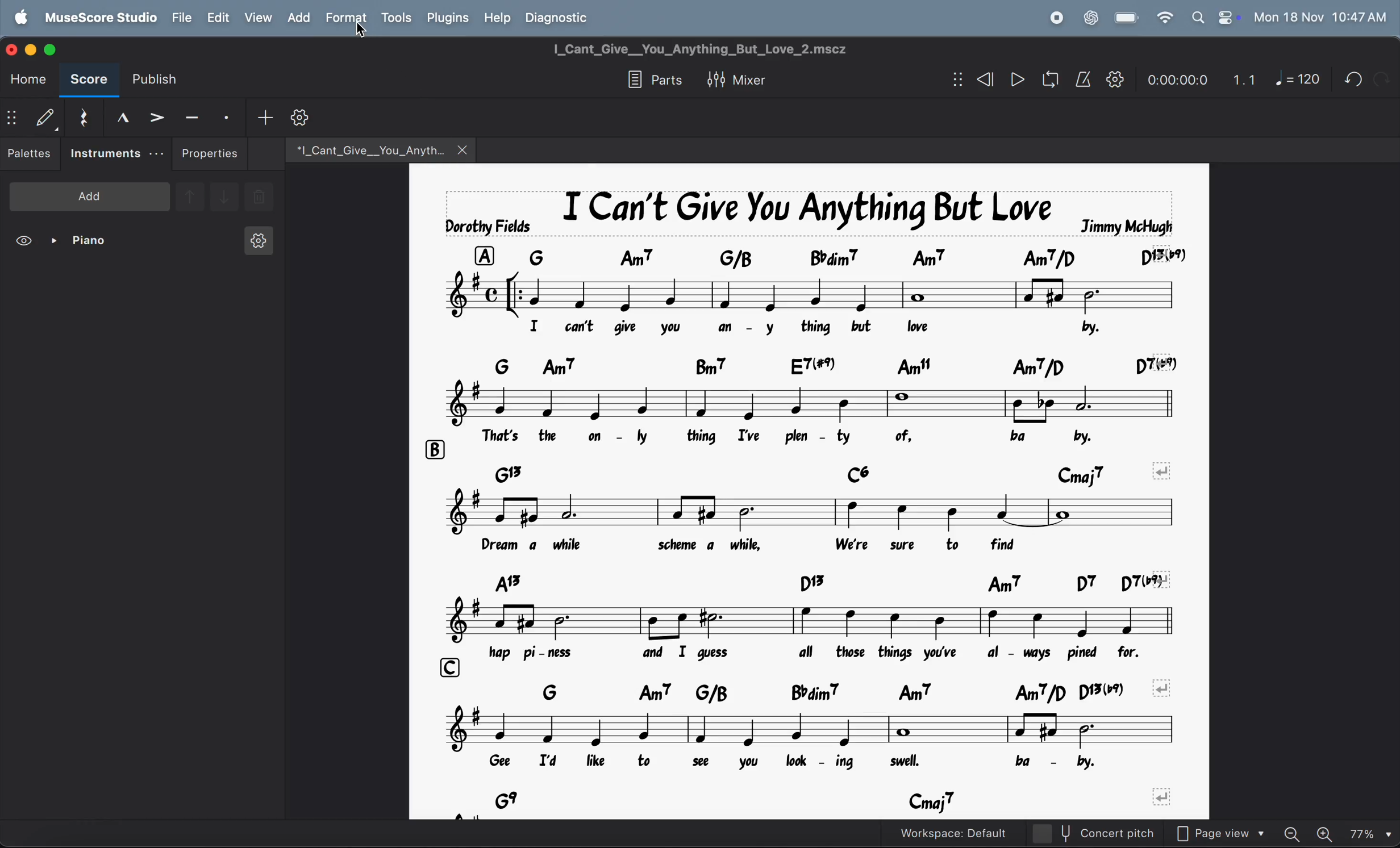  What do you see at coordinates (192, 115) in the screenshot?
I see `tenuto` at bounding box center [192, 115].